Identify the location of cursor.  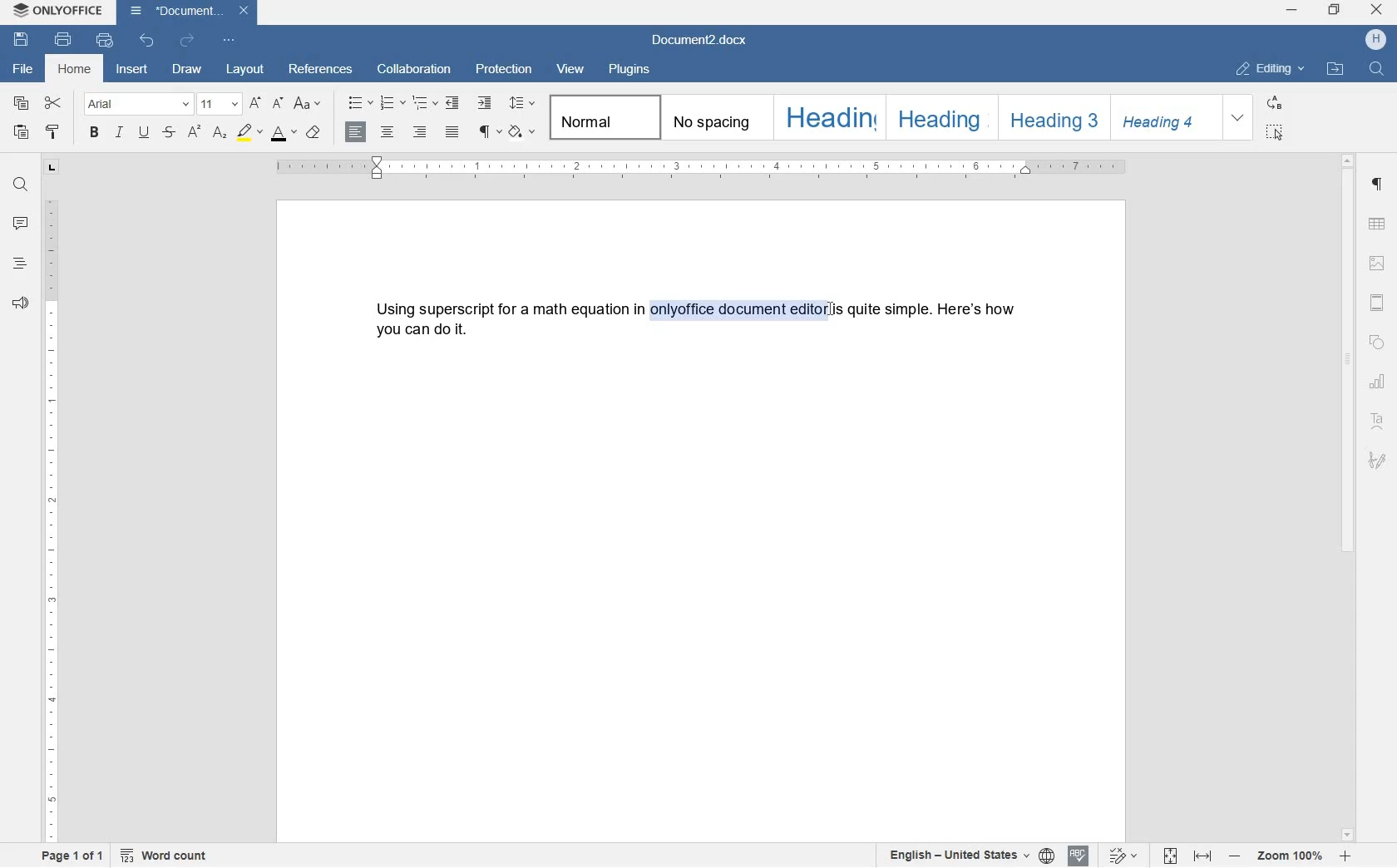
(832, 313).